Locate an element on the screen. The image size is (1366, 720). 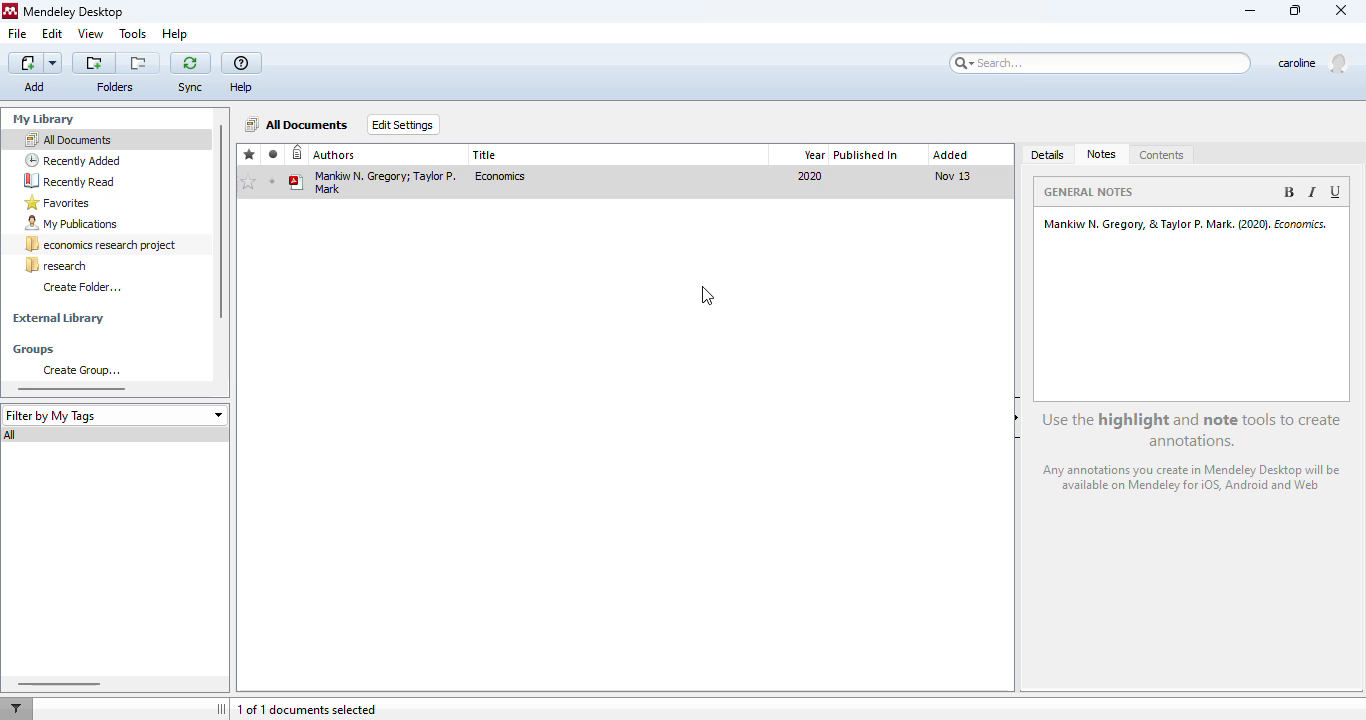
all documents is located at coordinates (298, 124).